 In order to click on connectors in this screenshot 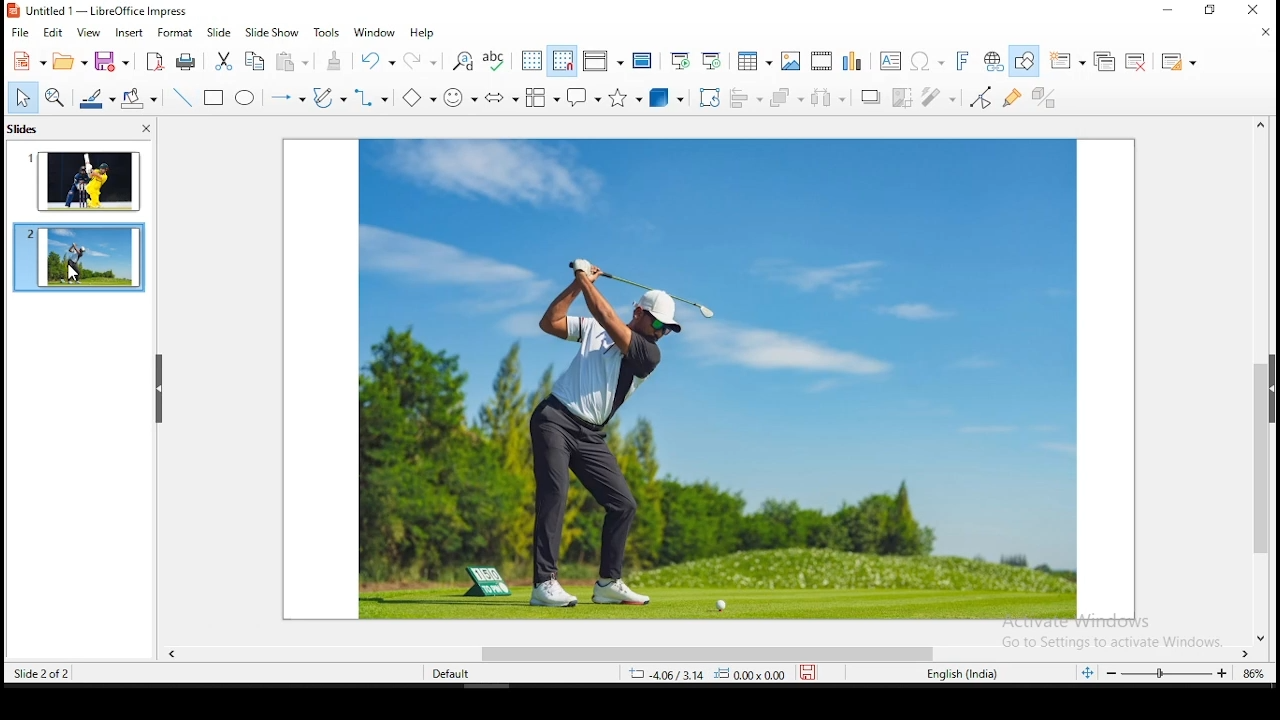, I will do `click(370, 99)`.